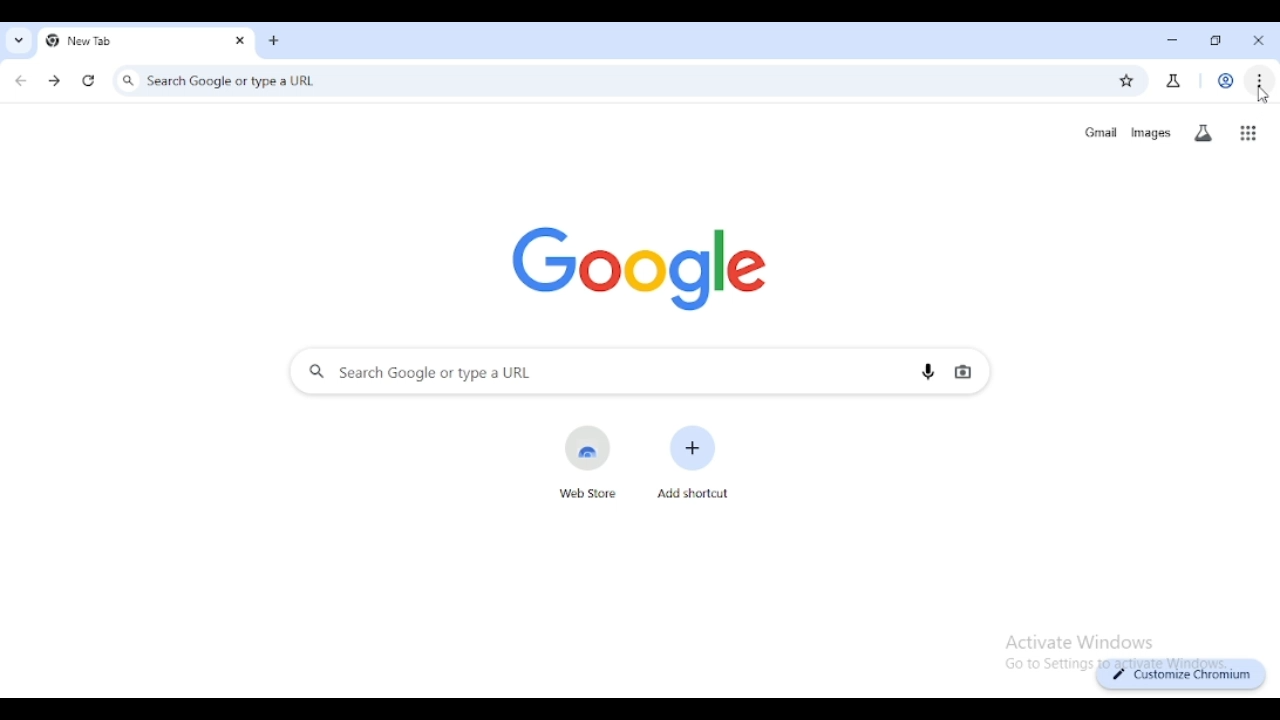 This screenshot has width=1280, height=720. I want to click on customize chromium, so click(1181, 674).